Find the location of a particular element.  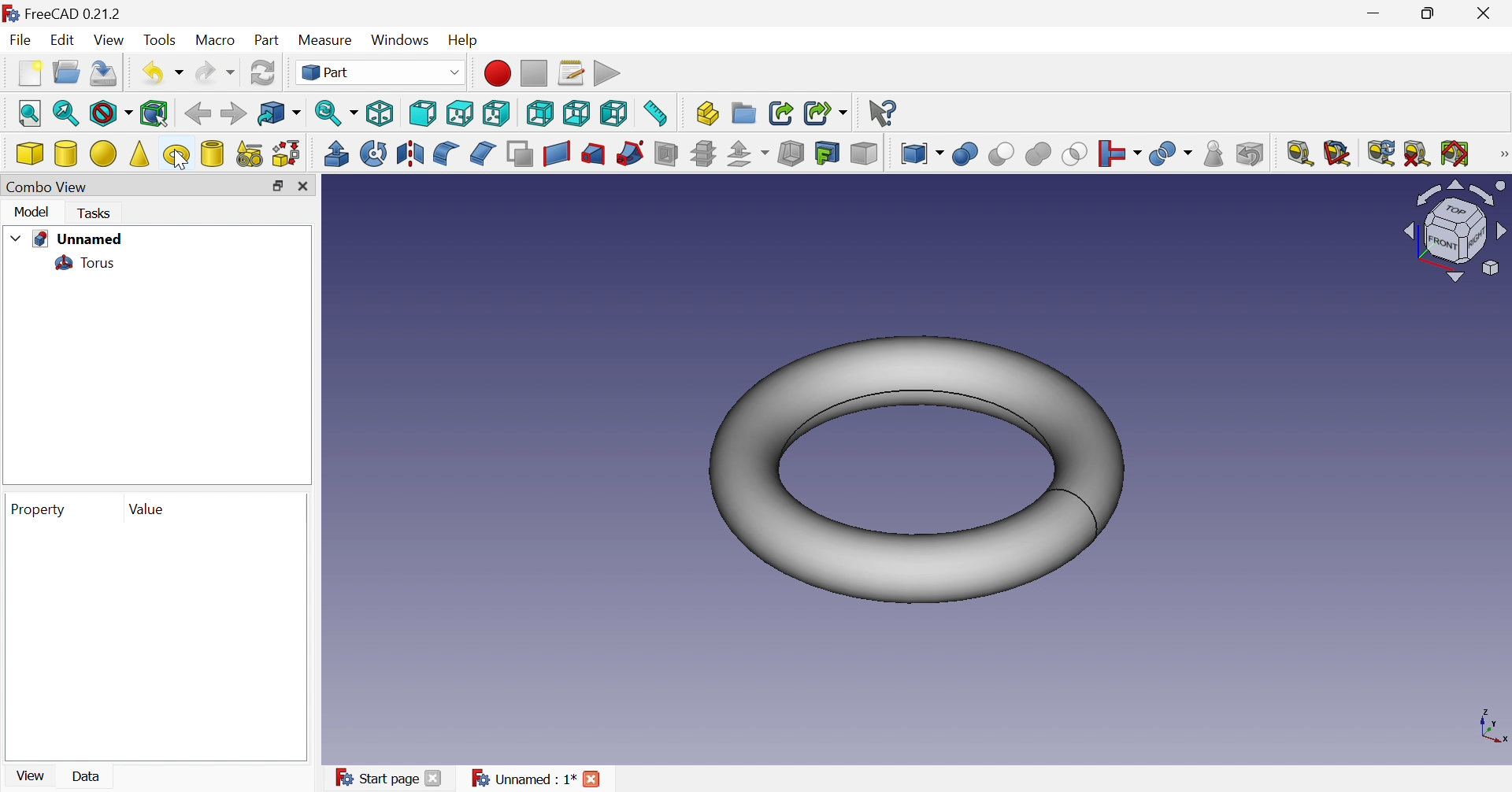

Minimize is located at coordinates (1380, 13).